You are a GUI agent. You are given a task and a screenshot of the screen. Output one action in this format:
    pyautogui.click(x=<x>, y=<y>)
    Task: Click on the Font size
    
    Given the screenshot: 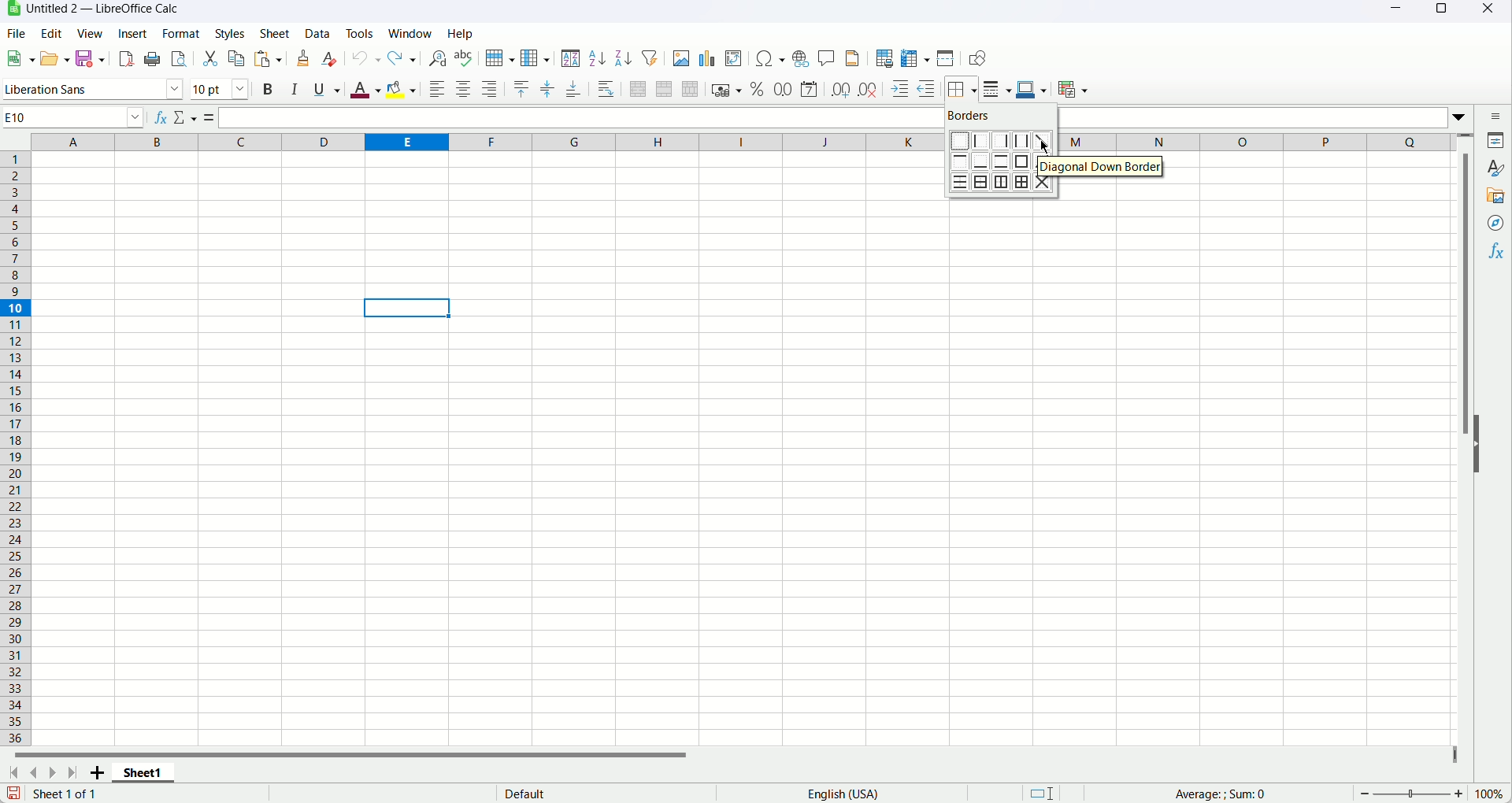 What is the action you would take?
    pyautogui.click(x=223, y=89)
    